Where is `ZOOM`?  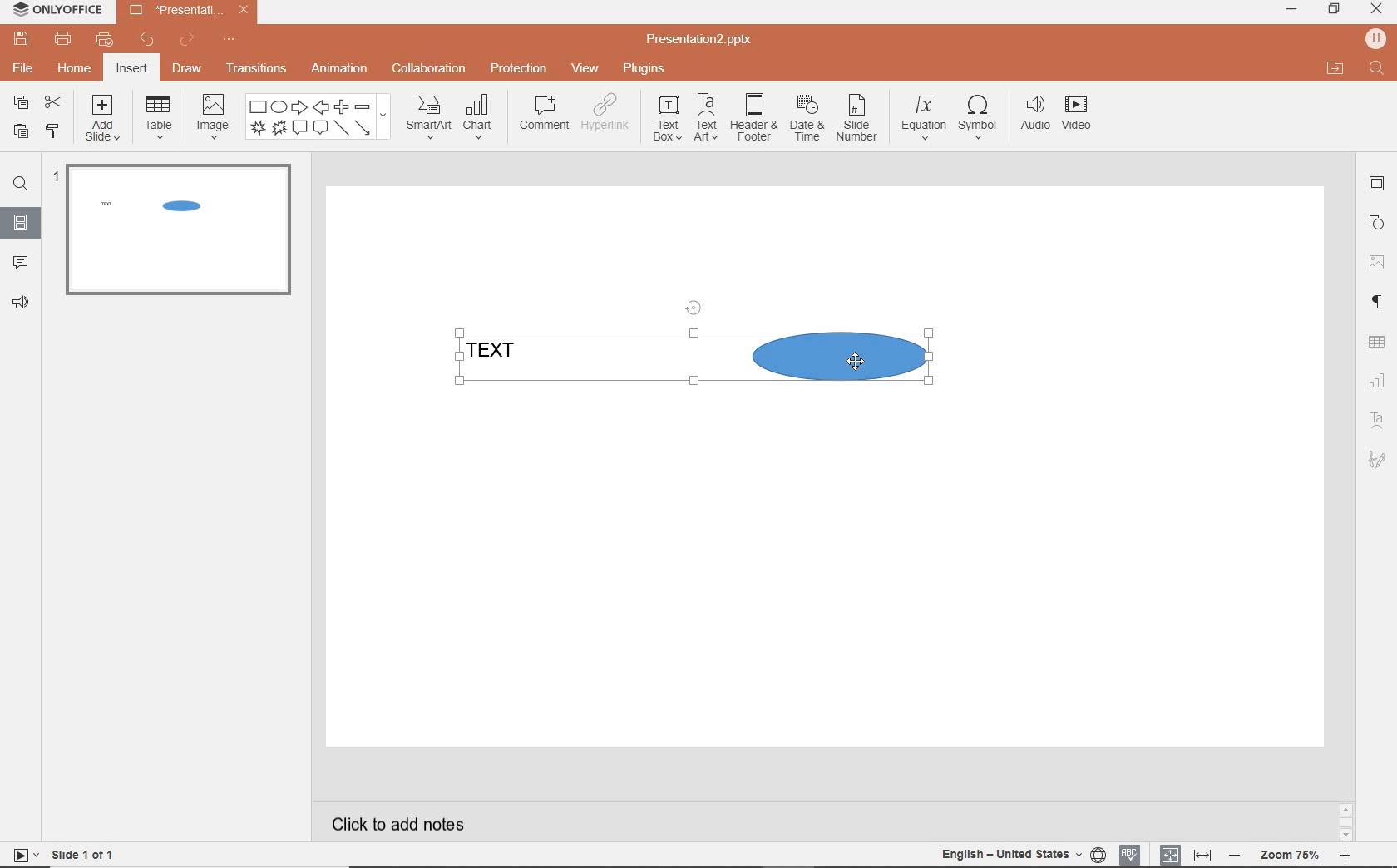 ZOOM is located at coordinates (1289, 857).